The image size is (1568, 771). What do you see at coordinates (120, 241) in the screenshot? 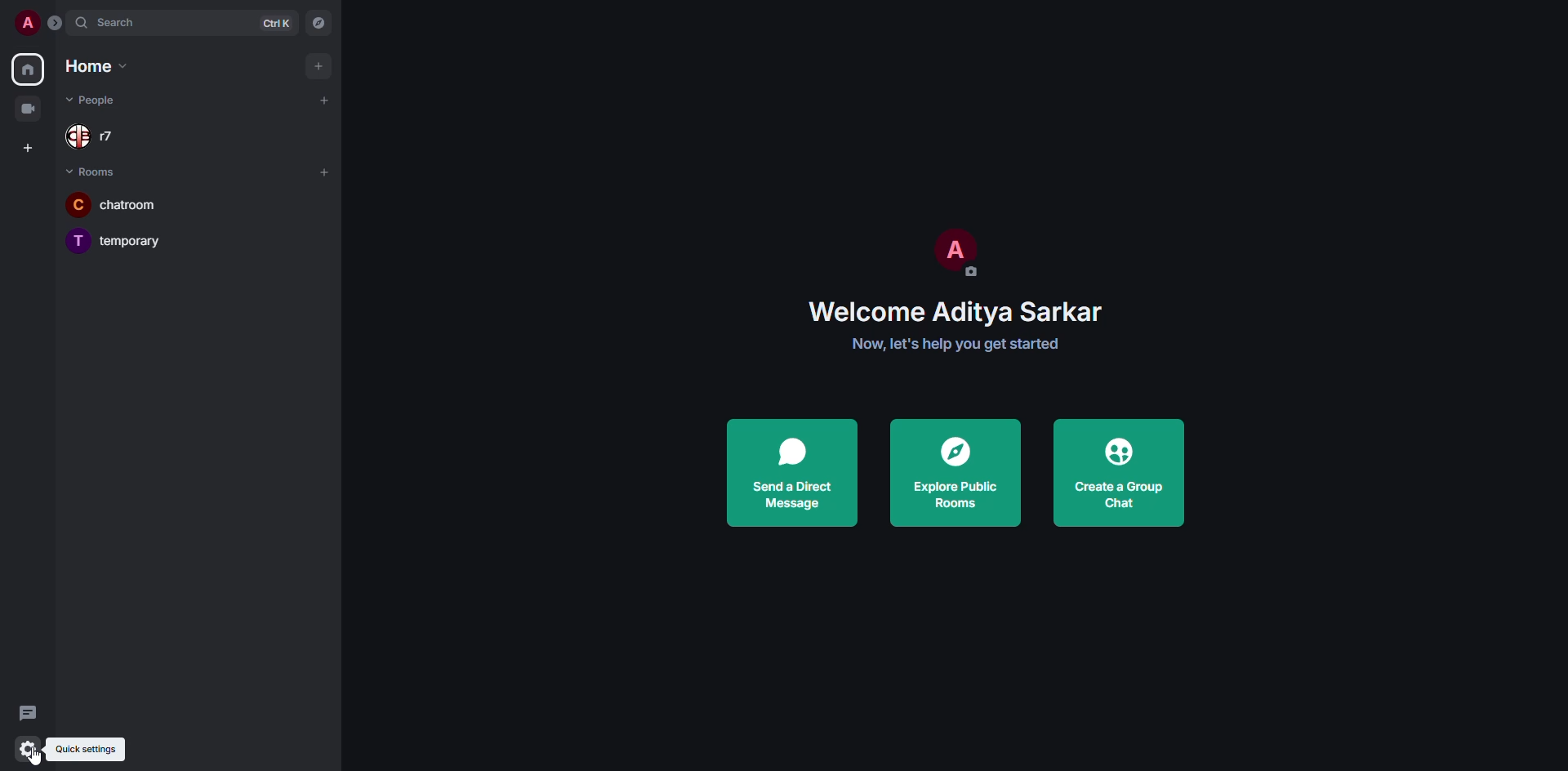
I see `room` at bounding box center [120, 241].